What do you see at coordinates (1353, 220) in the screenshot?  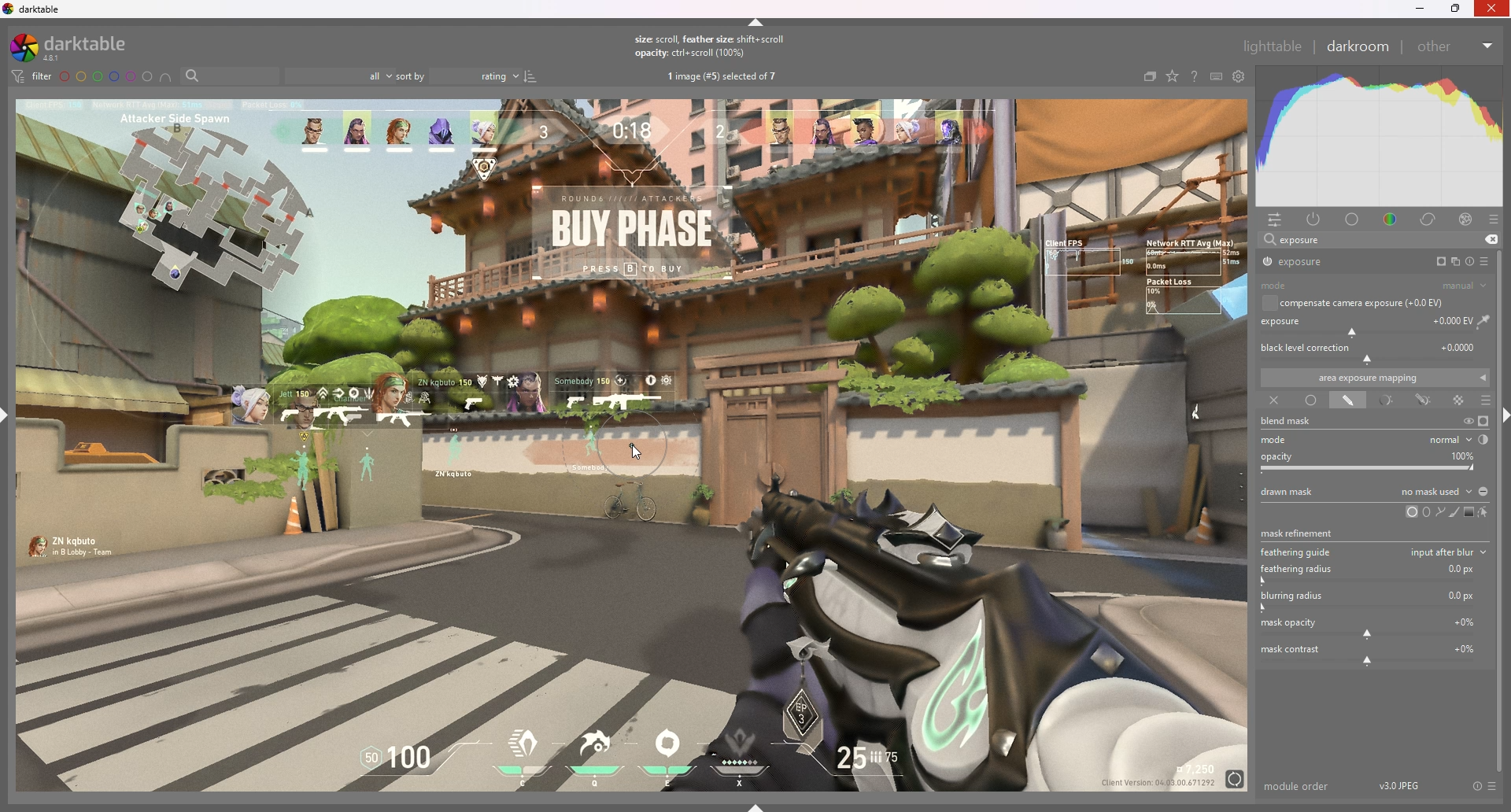 I see `base` at bounding box center [1353, 220].